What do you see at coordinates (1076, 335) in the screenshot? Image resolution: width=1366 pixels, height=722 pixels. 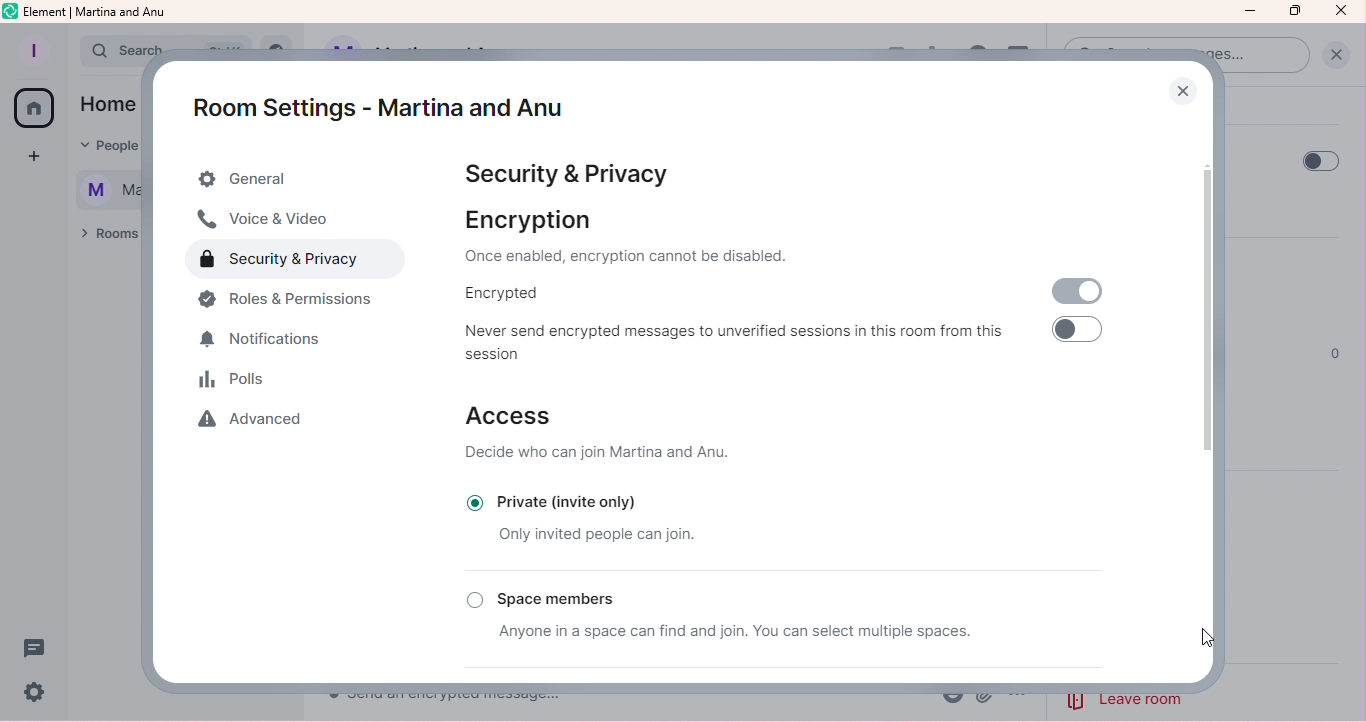 I see `Toggle` at bounding box center [1076, 335].